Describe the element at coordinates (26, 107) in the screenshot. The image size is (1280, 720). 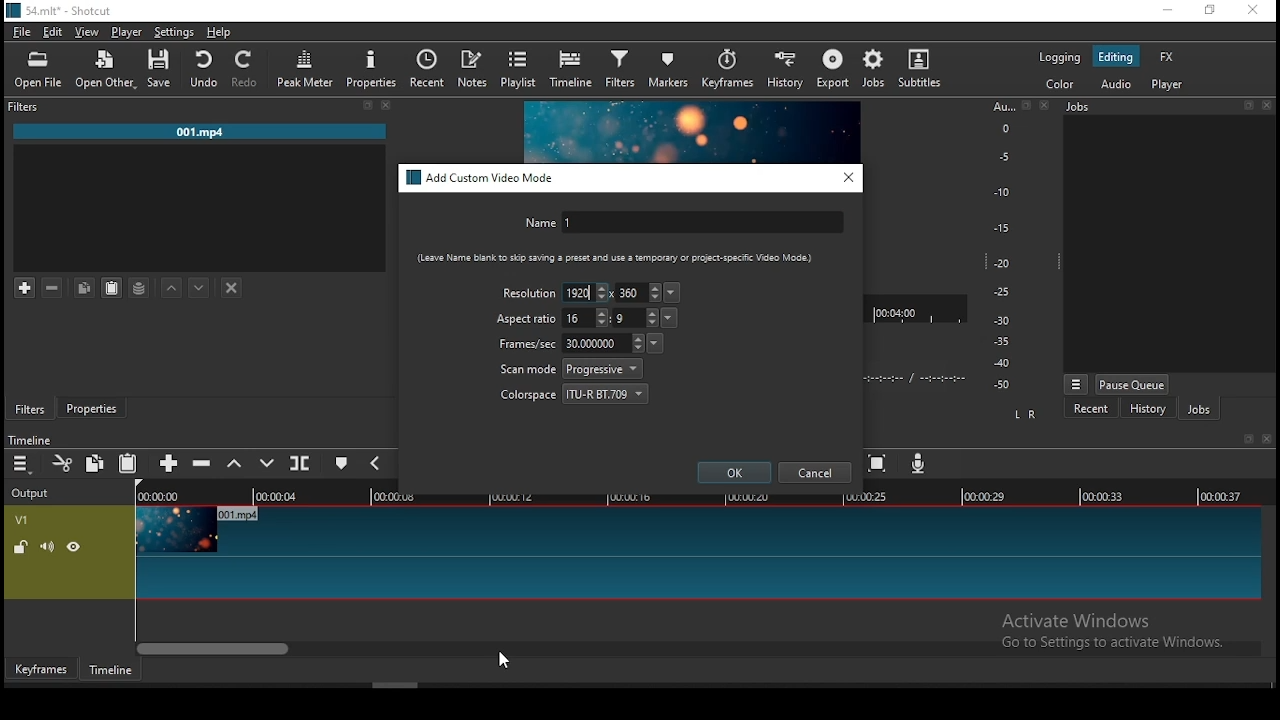
I see `Filter` at that location.